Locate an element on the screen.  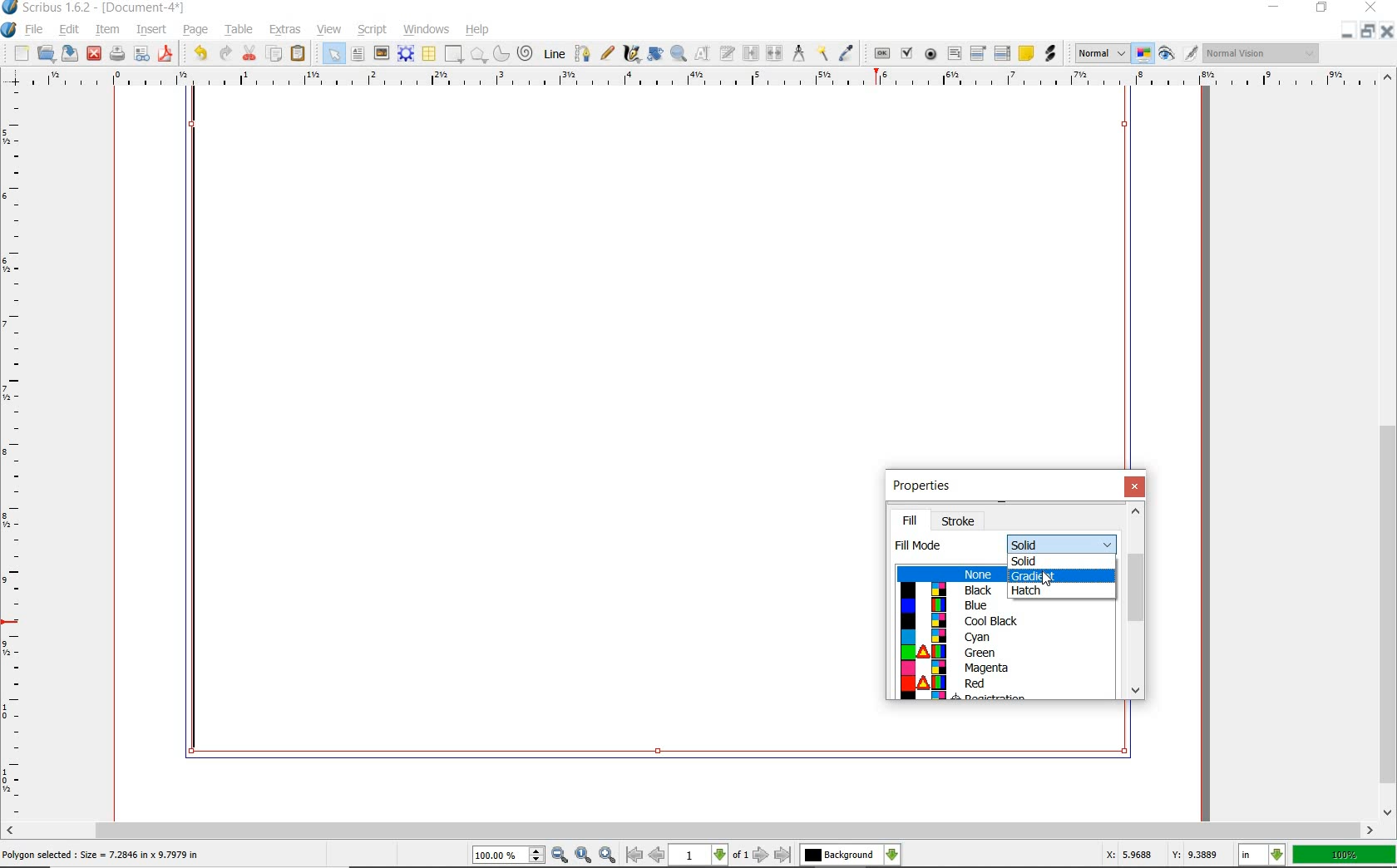
pdf push button is located at coordinates (879, 52).